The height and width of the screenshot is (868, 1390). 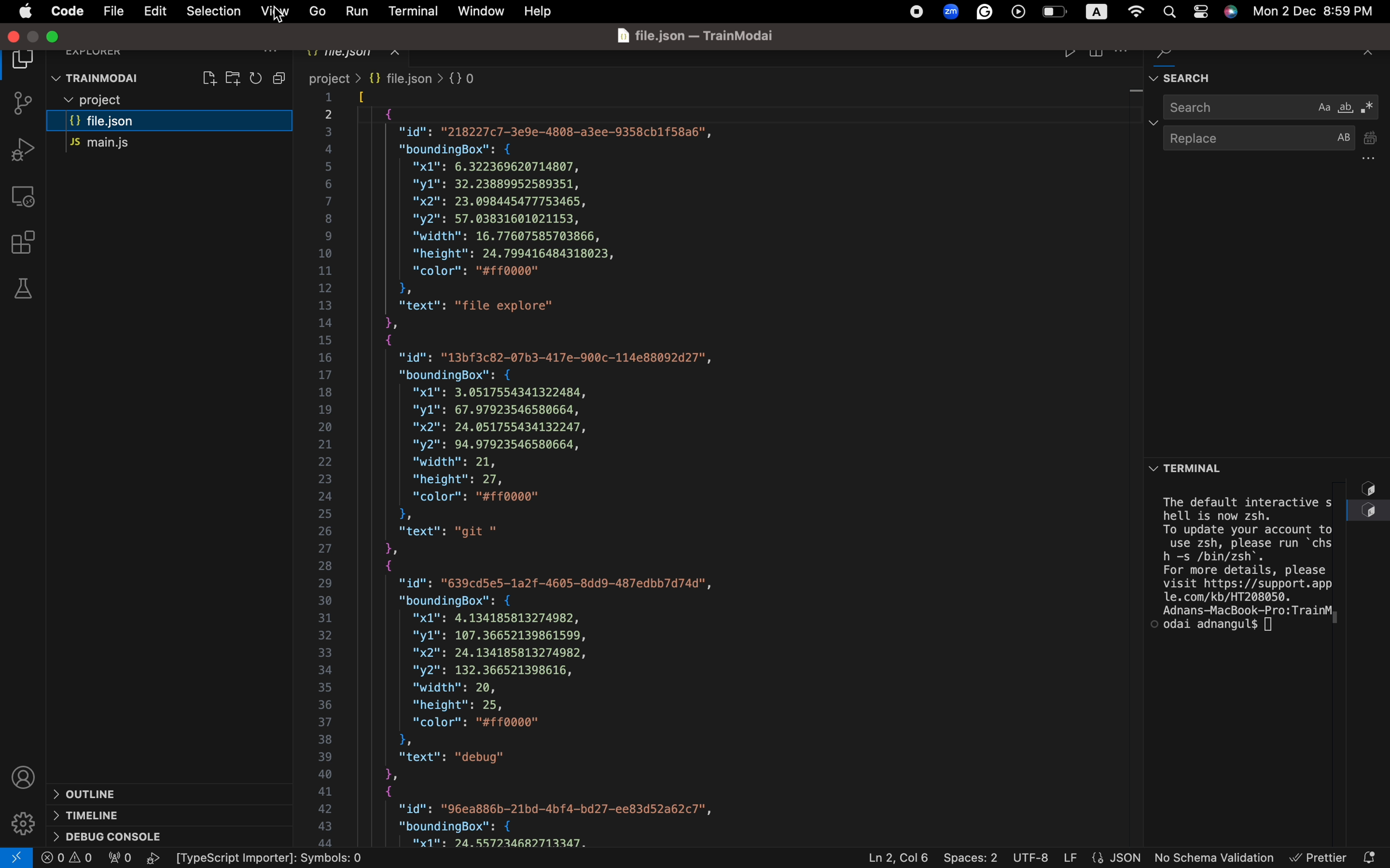 What do you see at coordinates (65, 10) in the screenshot?
I see `code` at bounding box center [65, 10].